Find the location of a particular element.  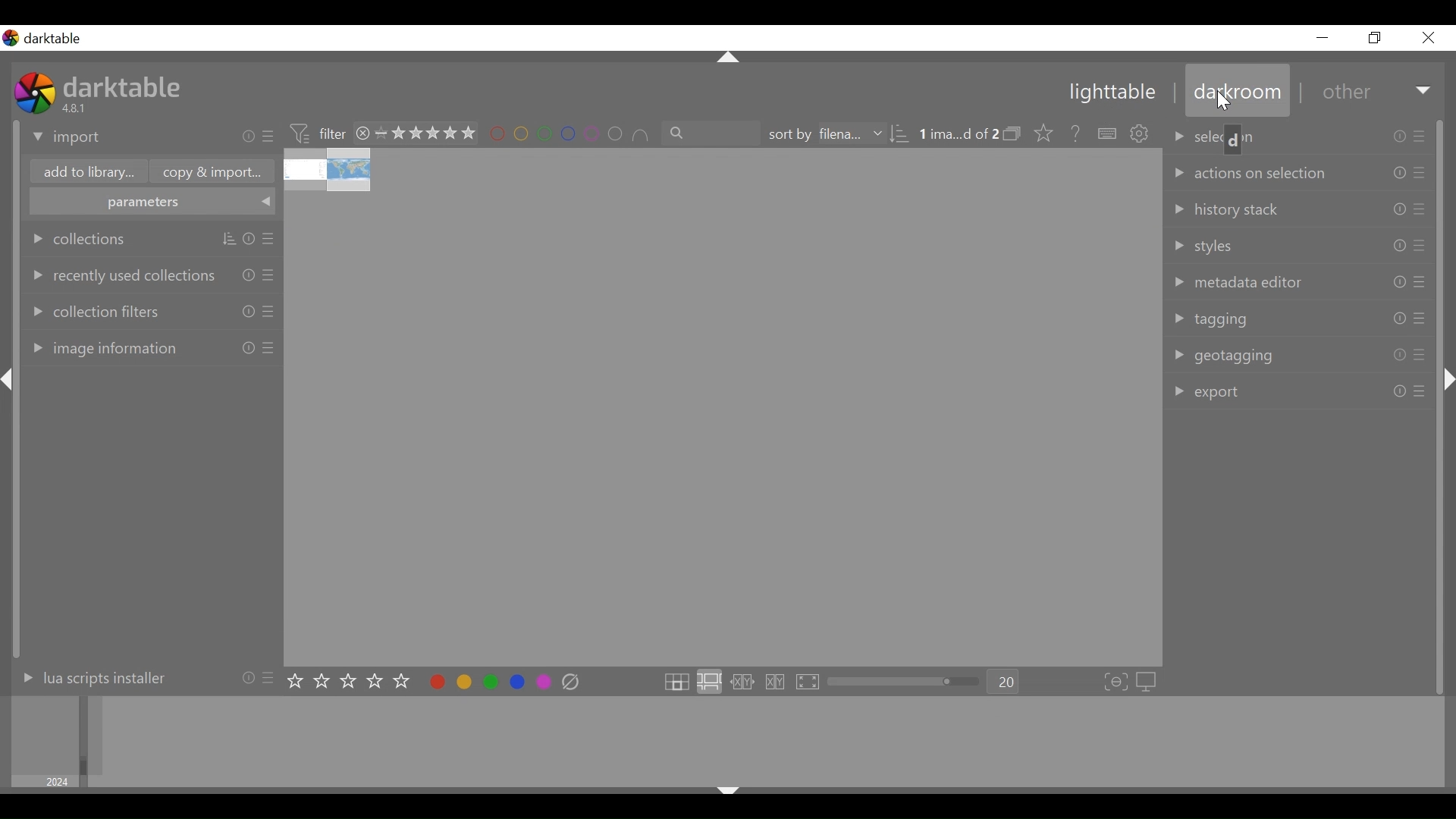

 is located at coordinates (11, 393).